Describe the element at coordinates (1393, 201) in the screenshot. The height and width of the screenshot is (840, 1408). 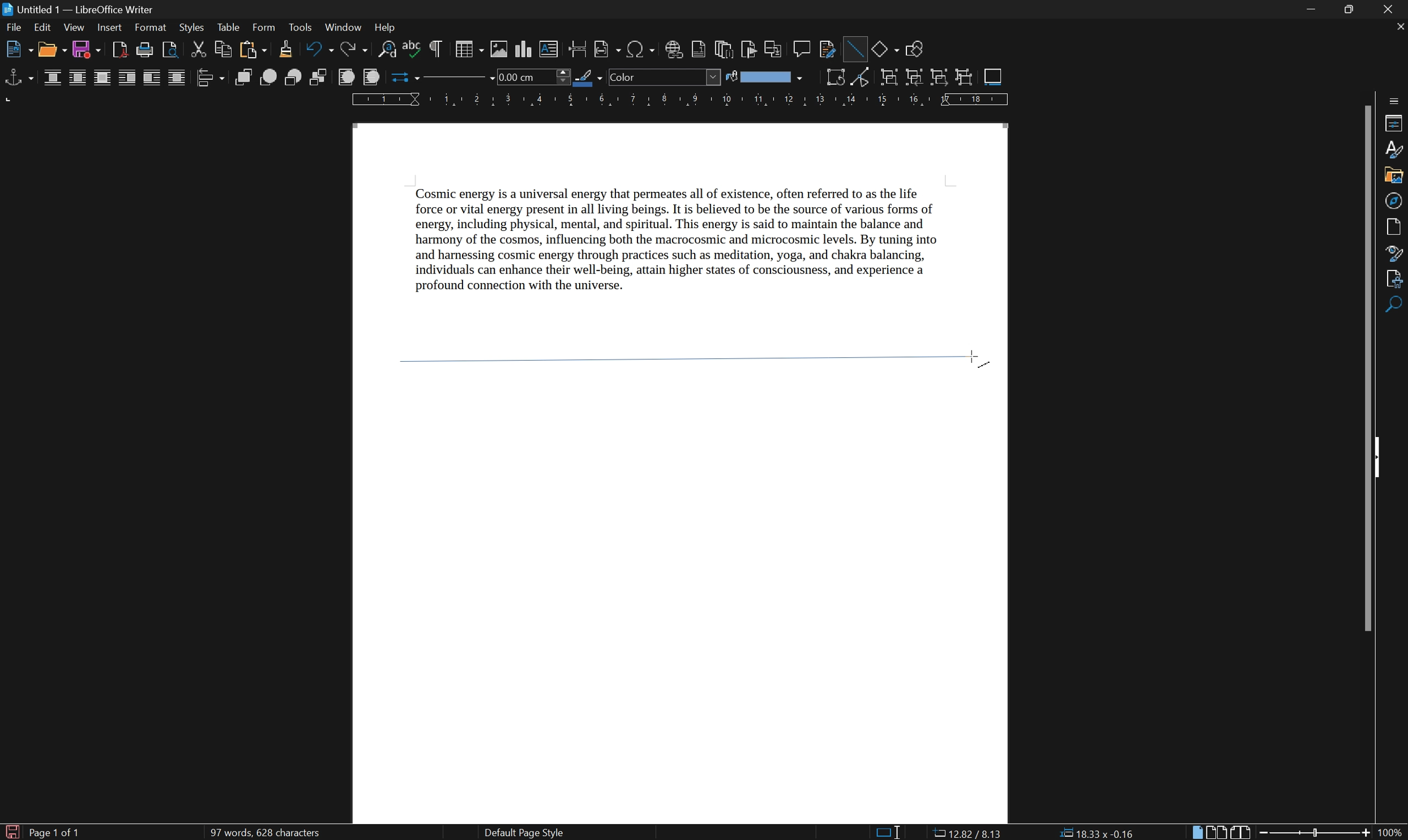
I see `navigator` at that location.